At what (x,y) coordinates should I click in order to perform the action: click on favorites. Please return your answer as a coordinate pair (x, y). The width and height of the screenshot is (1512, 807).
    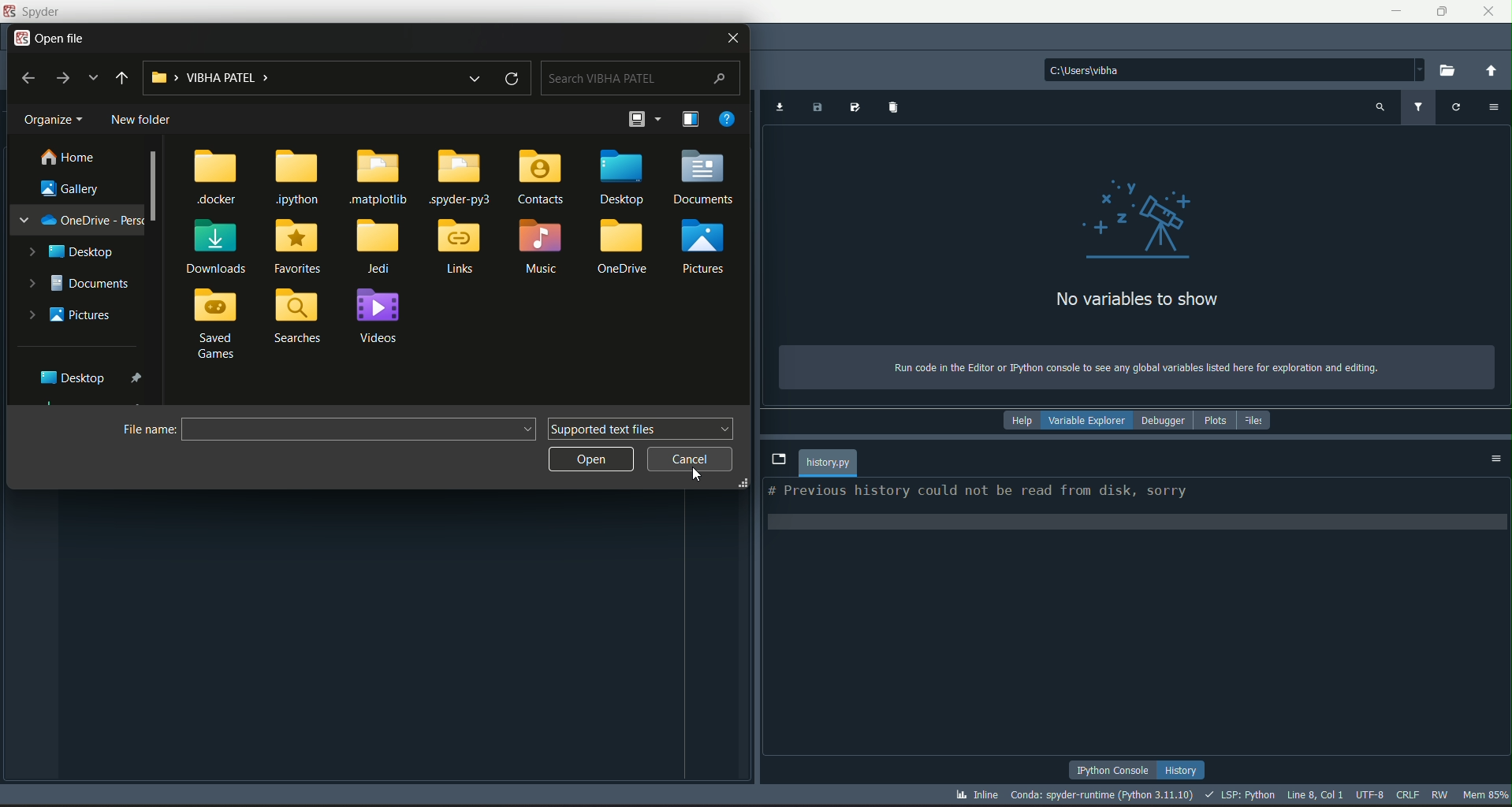
    Looking at the image, I should click on (297, 247).